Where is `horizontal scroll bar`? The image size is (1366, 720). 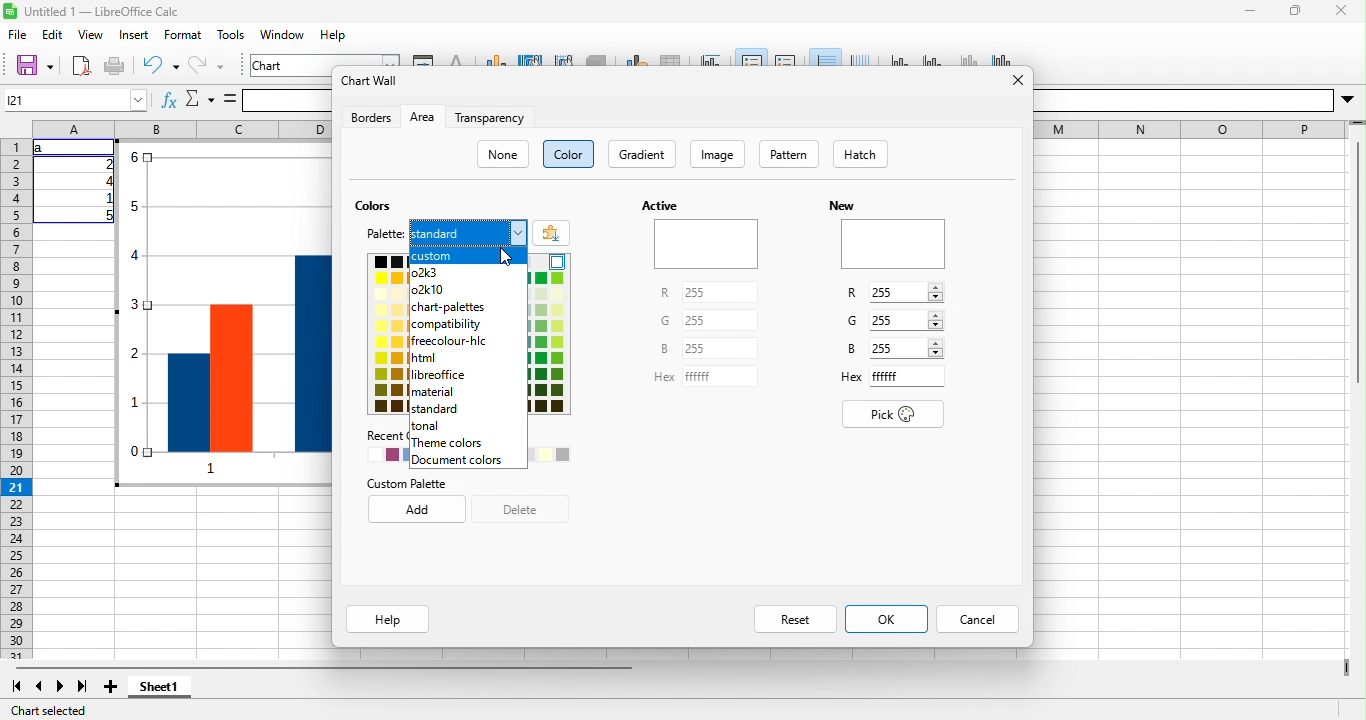 horizontal scroll bar is located at coordinates (324, 667).